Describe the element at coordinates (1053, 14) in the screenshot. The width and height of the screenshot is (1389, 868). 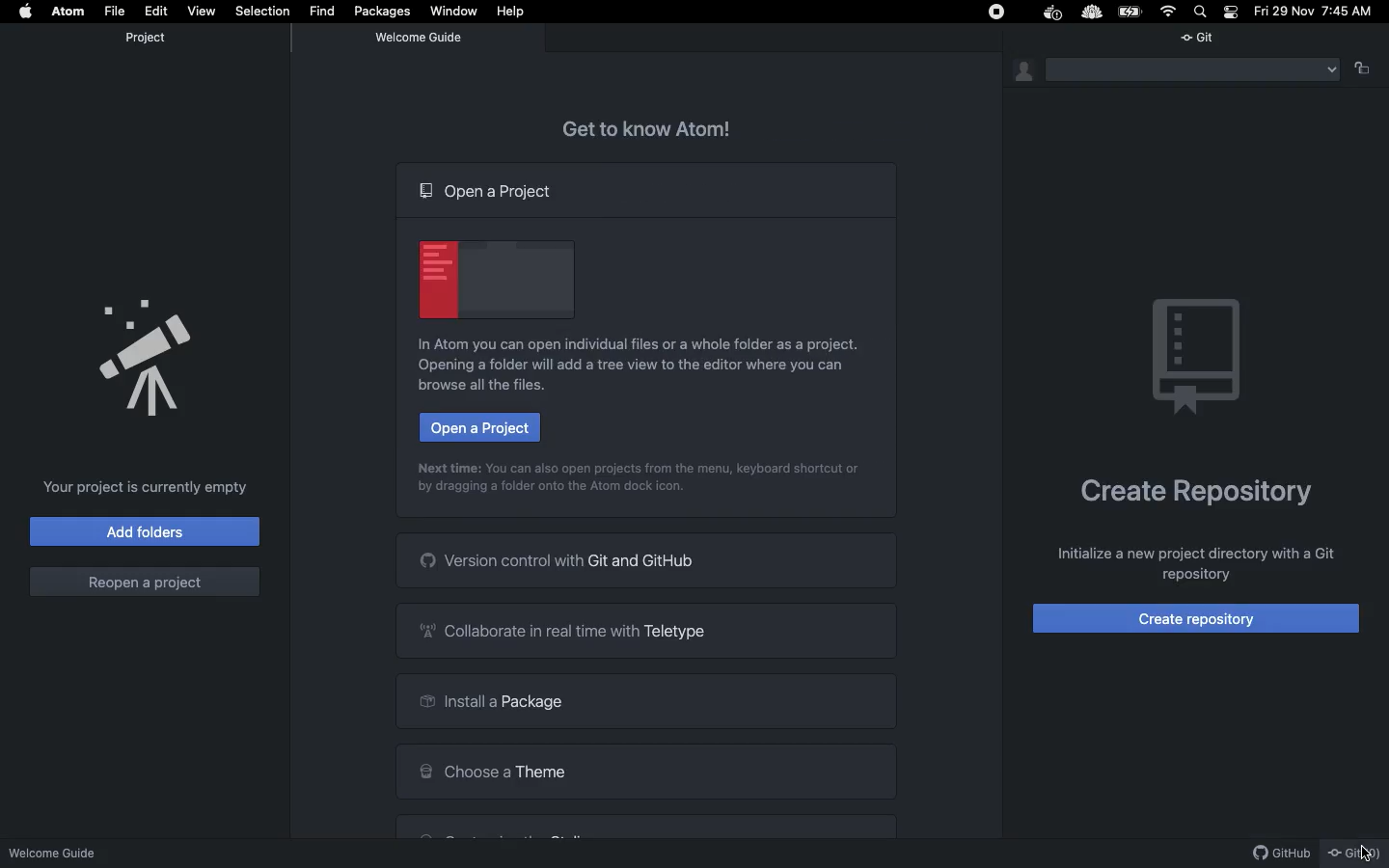
I see `Docker` at that location.